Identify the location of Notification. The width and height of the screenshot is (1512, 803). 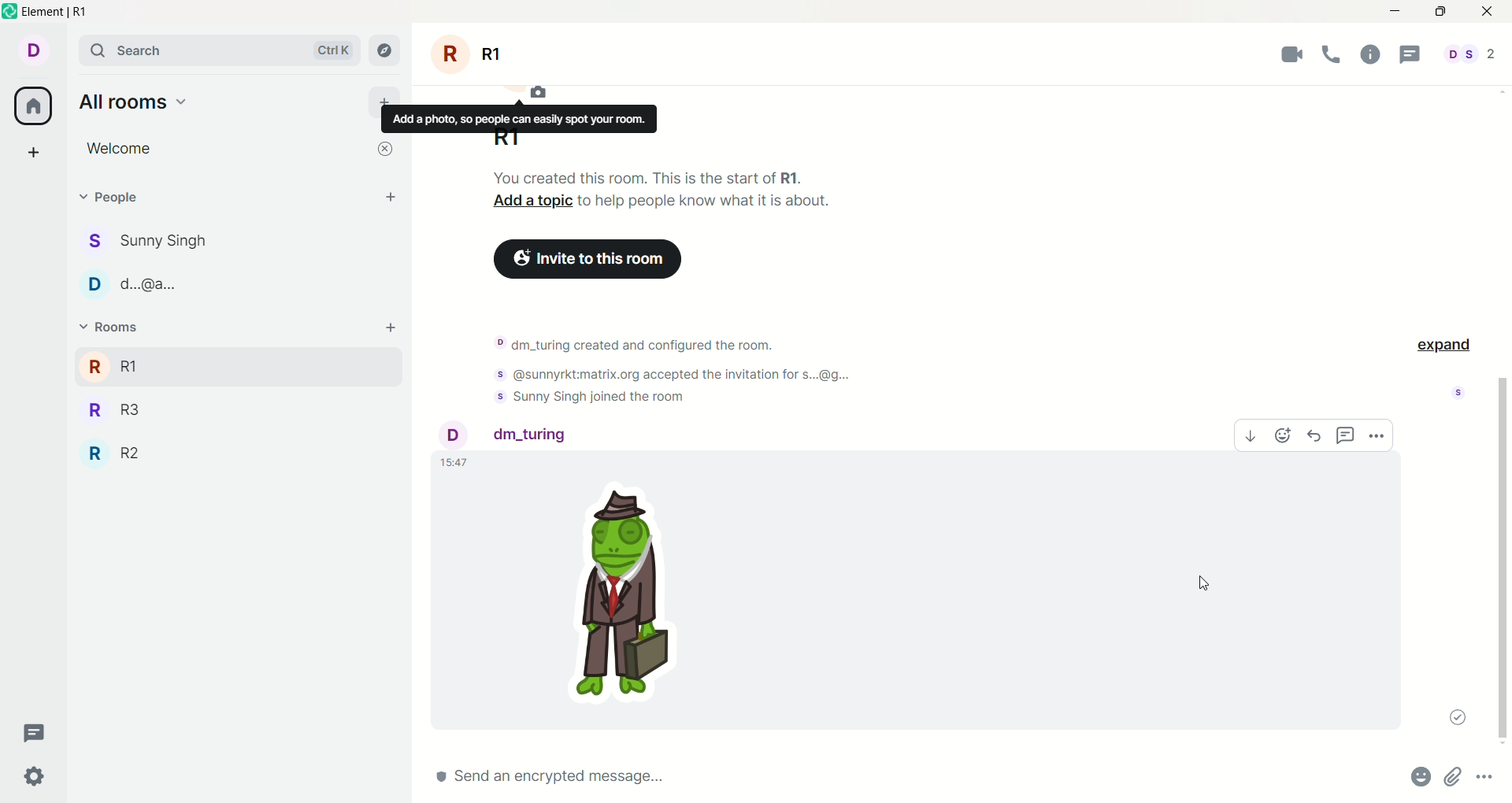
(636, 344).